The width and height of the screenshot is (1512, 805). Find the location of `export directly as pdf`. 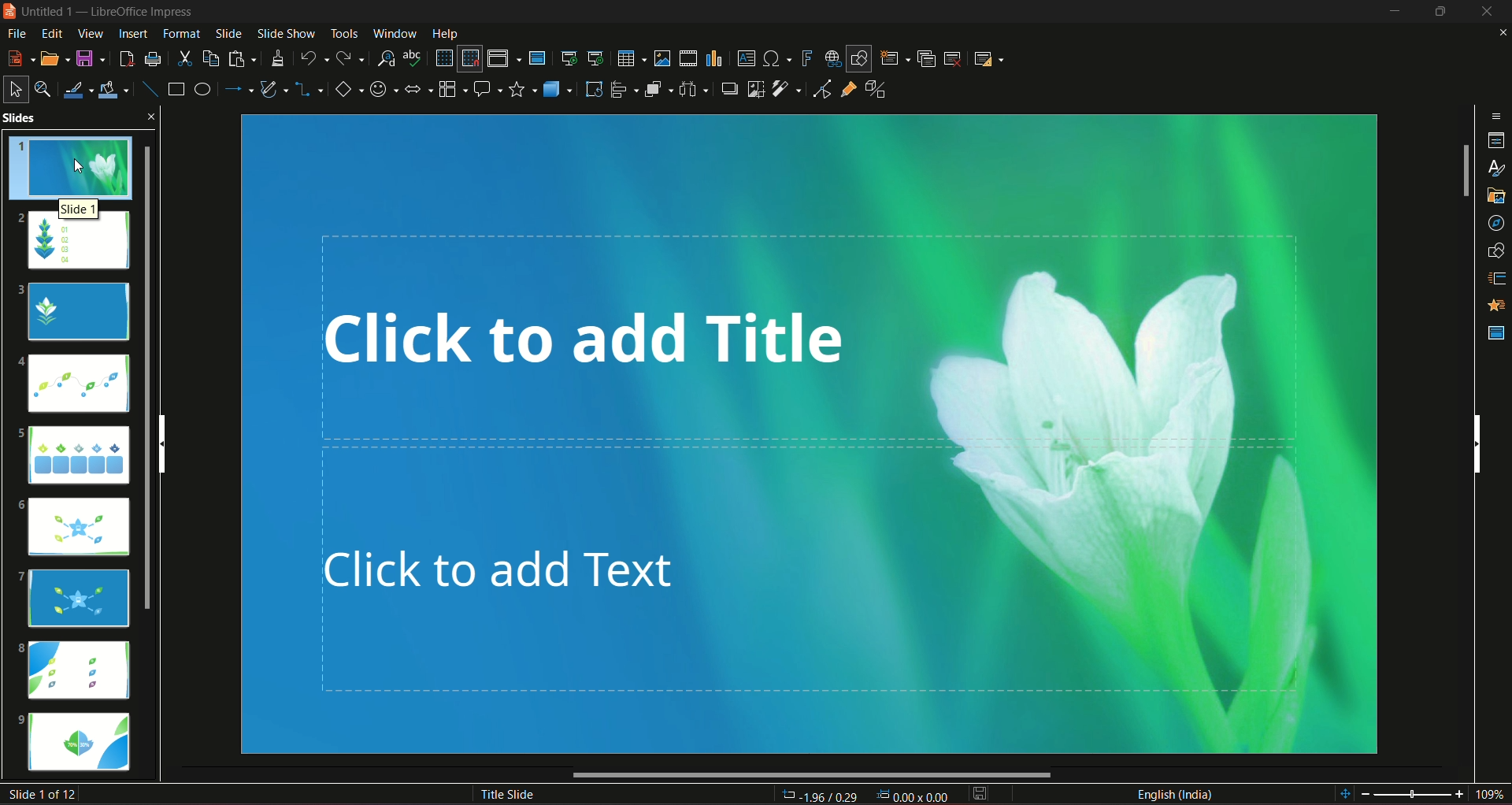

export directly as pdf is located at coordinates (126, 57).